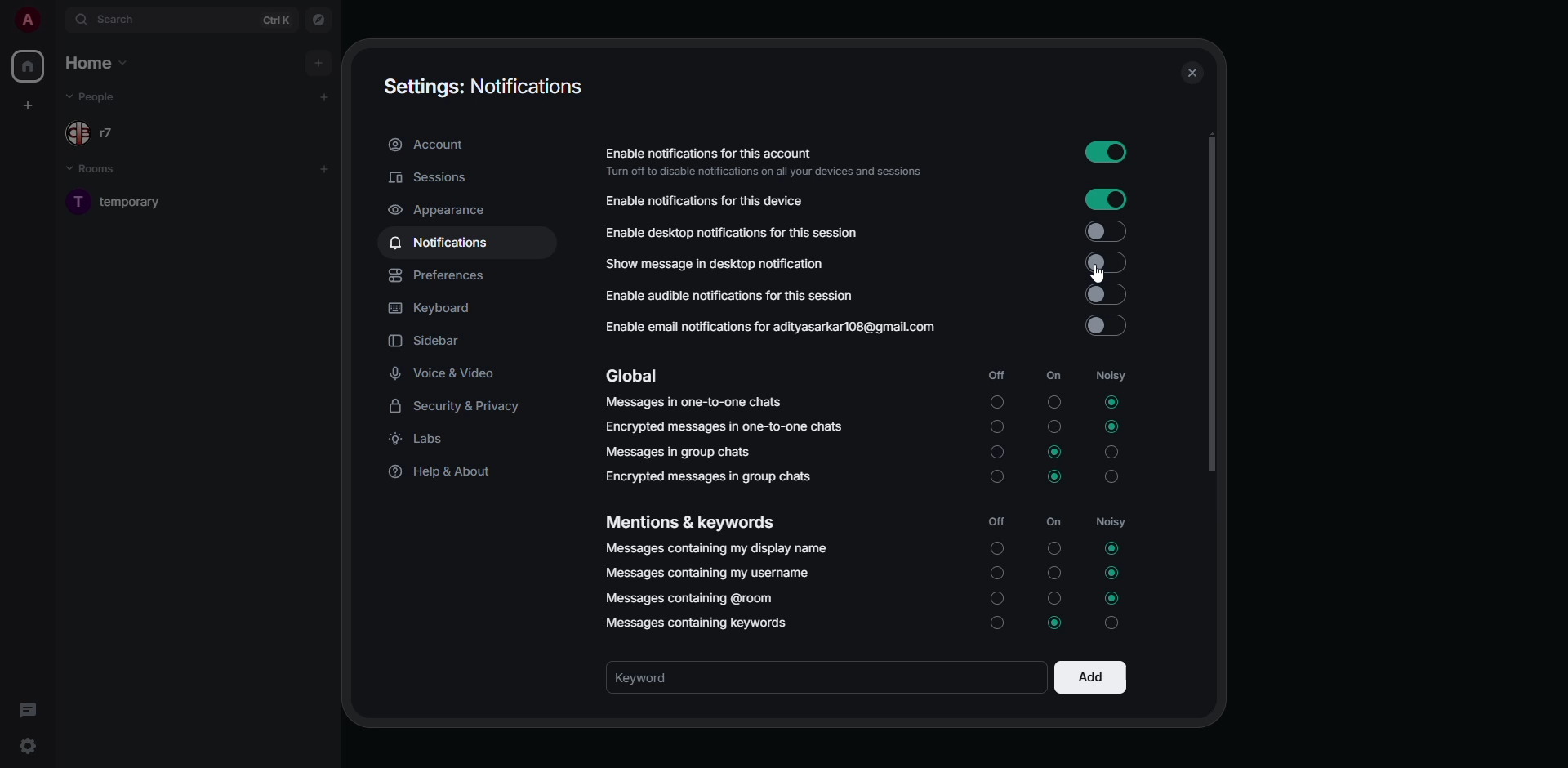  I want to click on click to enable, so click(1105, 229).